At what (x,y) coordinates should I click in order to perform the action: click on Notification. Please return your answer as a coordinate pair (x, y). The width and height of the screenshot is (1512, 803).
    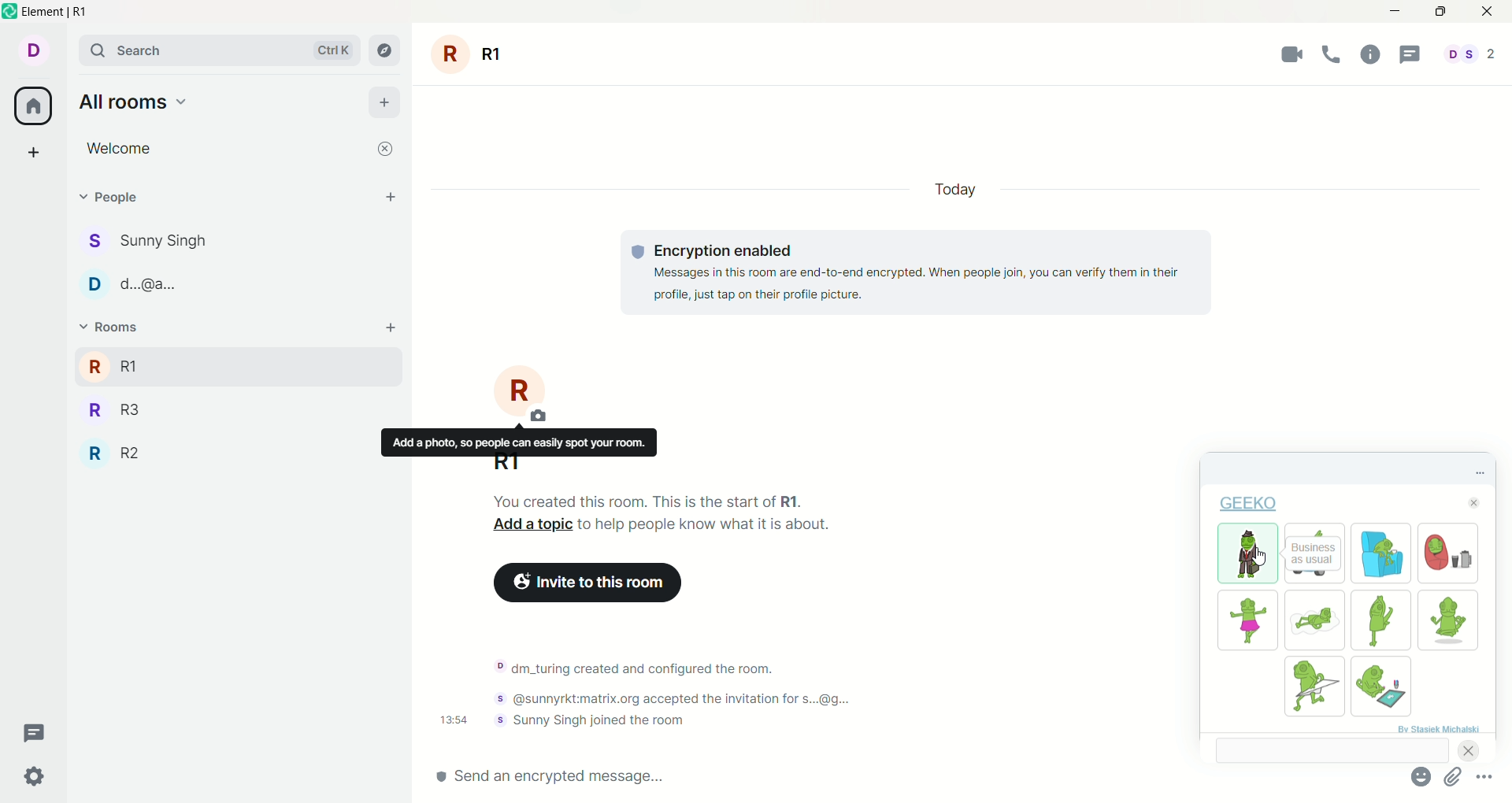
    Looking at the image, I should click on (680, 698).